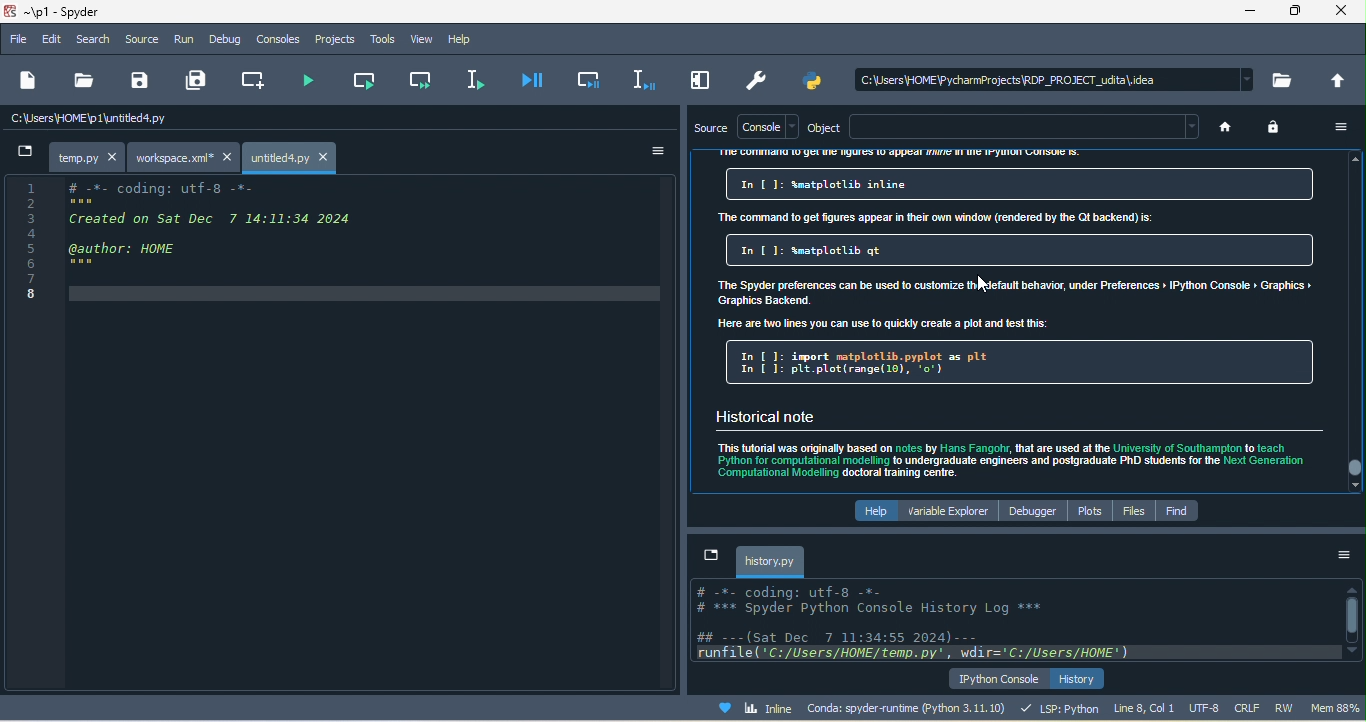  Describe the element at coordinates (1250, 12) in the screenshot. I see `minimize` at that location.